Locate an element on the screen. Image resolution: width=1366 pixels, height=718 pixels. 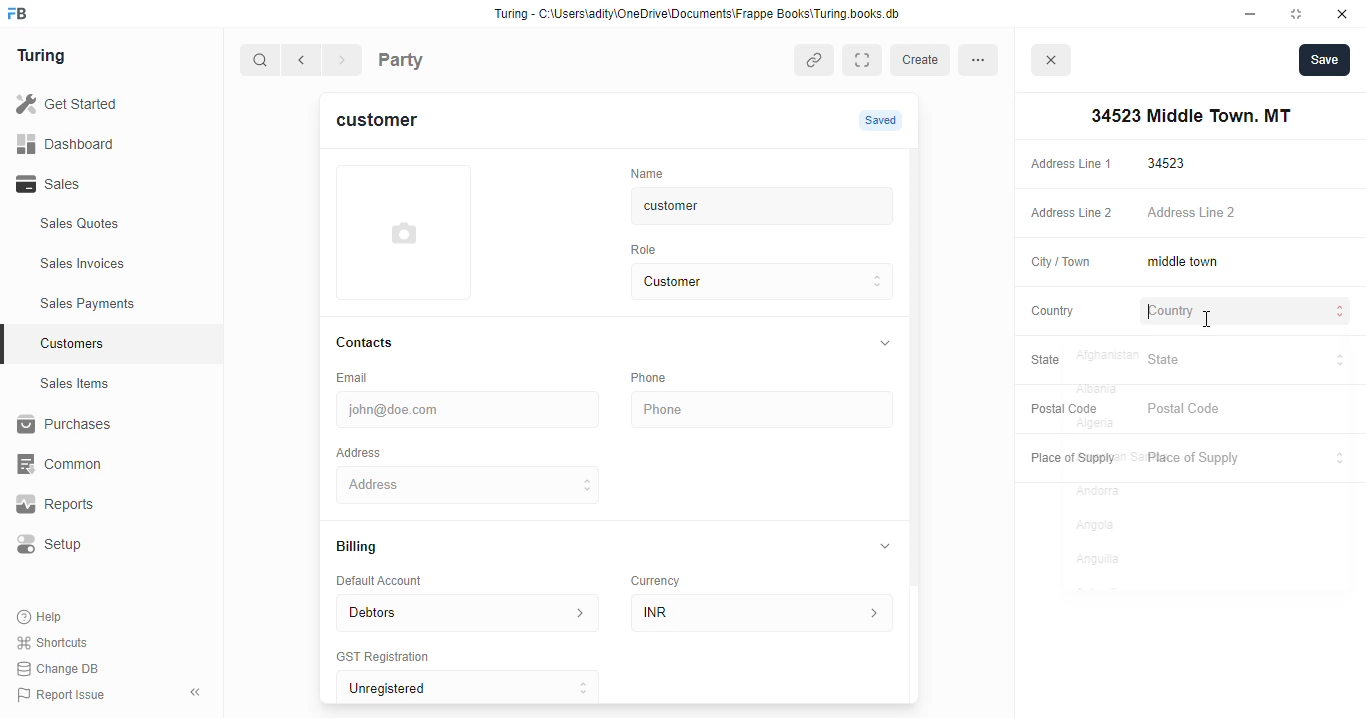
minimise is located at coordinates (1251, 14).